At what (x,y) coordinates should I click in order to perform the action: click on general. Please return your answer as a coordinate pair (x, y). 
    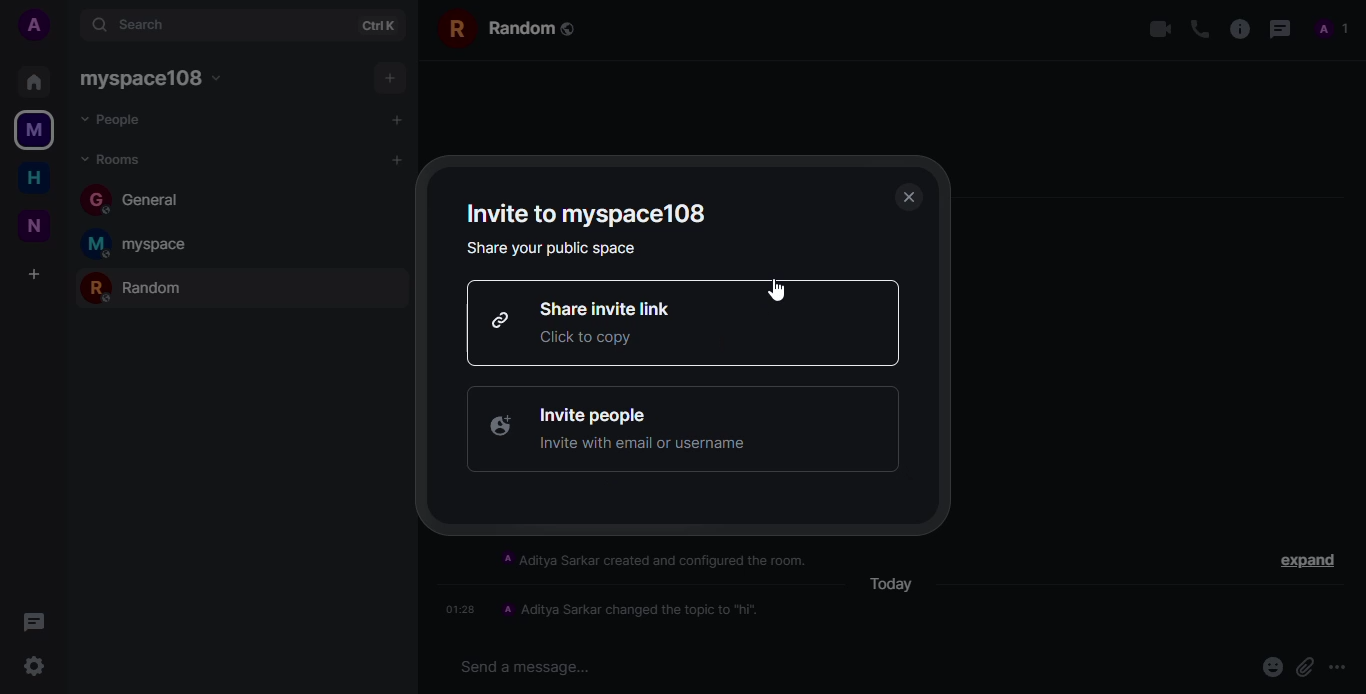
    Looking at the image, I should click on (138, 199).